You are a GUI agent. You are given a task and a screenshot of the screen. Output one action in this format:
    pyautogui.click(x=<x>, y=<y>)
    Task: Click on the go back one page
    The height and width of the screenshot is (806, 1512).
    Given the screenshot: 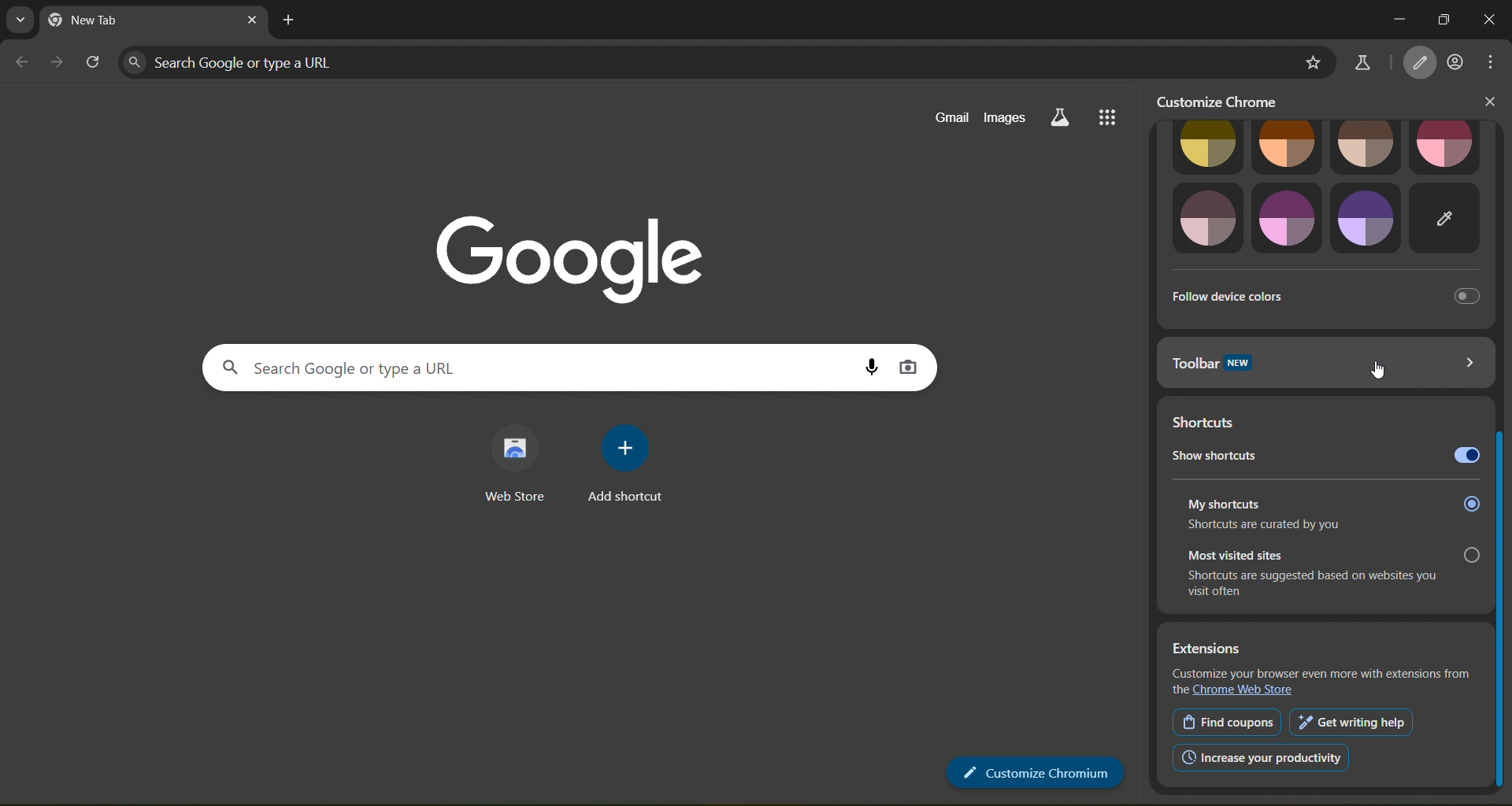 What is the action you would take?
    pyautogui.click(x=20, y=61)
    